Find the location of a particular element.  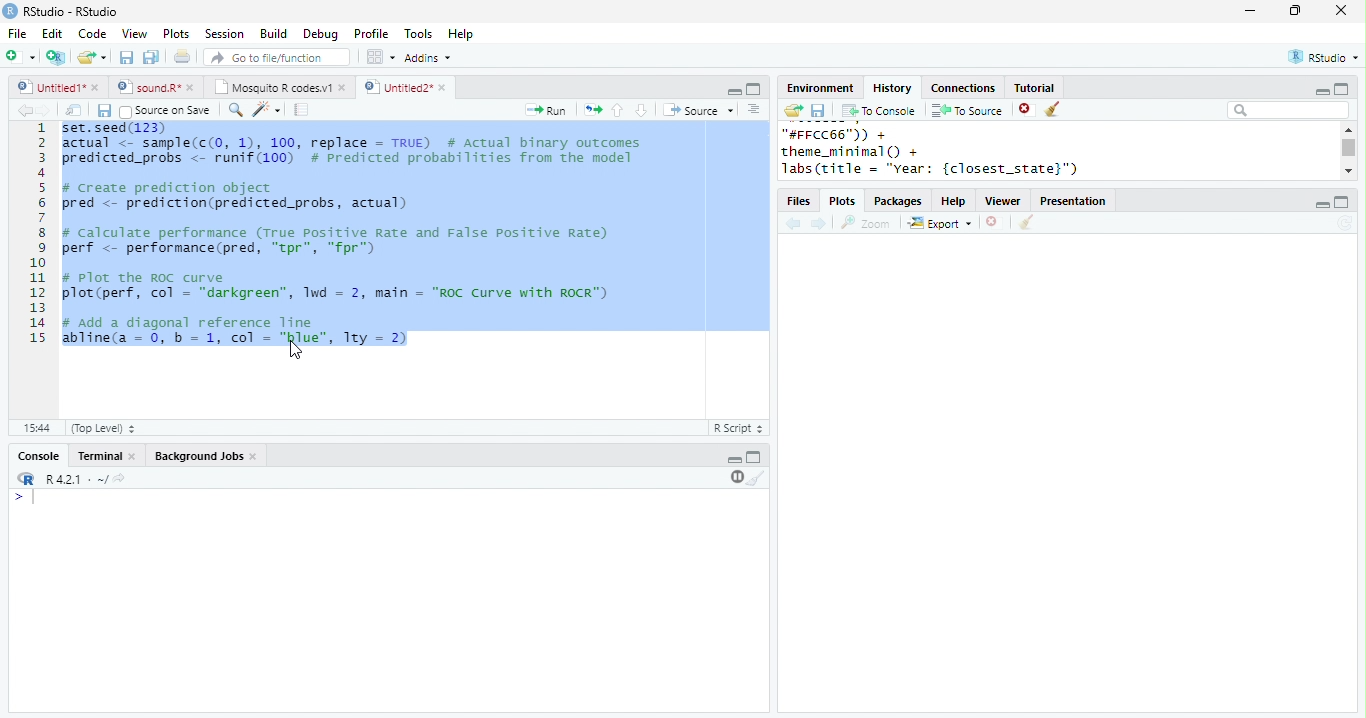

# Create prediction object
pred <- prediction(predicted_probs, actual) is located at coordinates (236, 196).